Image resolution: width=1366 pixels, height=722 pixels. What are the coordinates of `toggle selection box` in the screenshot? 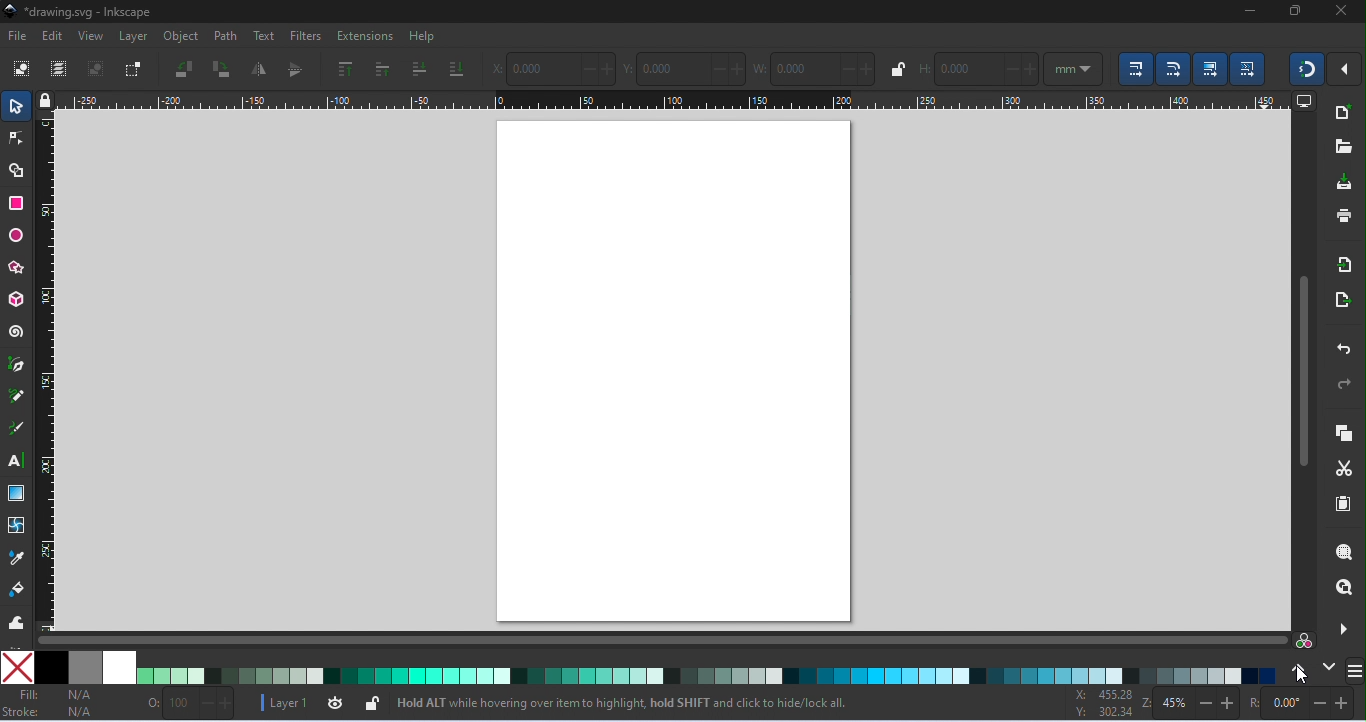 It's located at (131, 69).